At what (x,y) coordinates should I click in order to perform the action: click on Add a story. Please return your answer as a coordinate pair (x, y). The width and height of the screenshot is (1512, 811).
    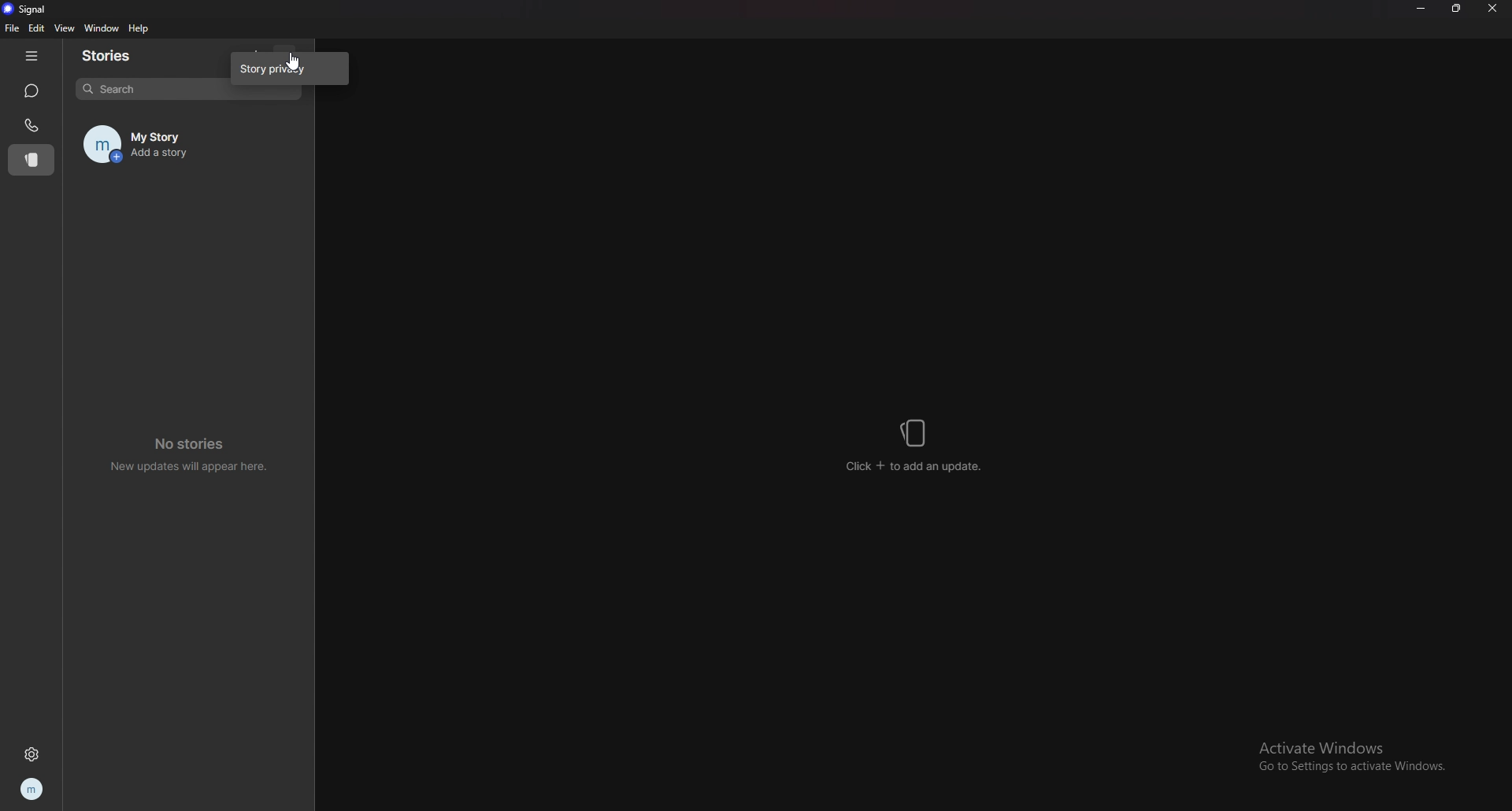
    Looking at the image, I should click on (211, 157).